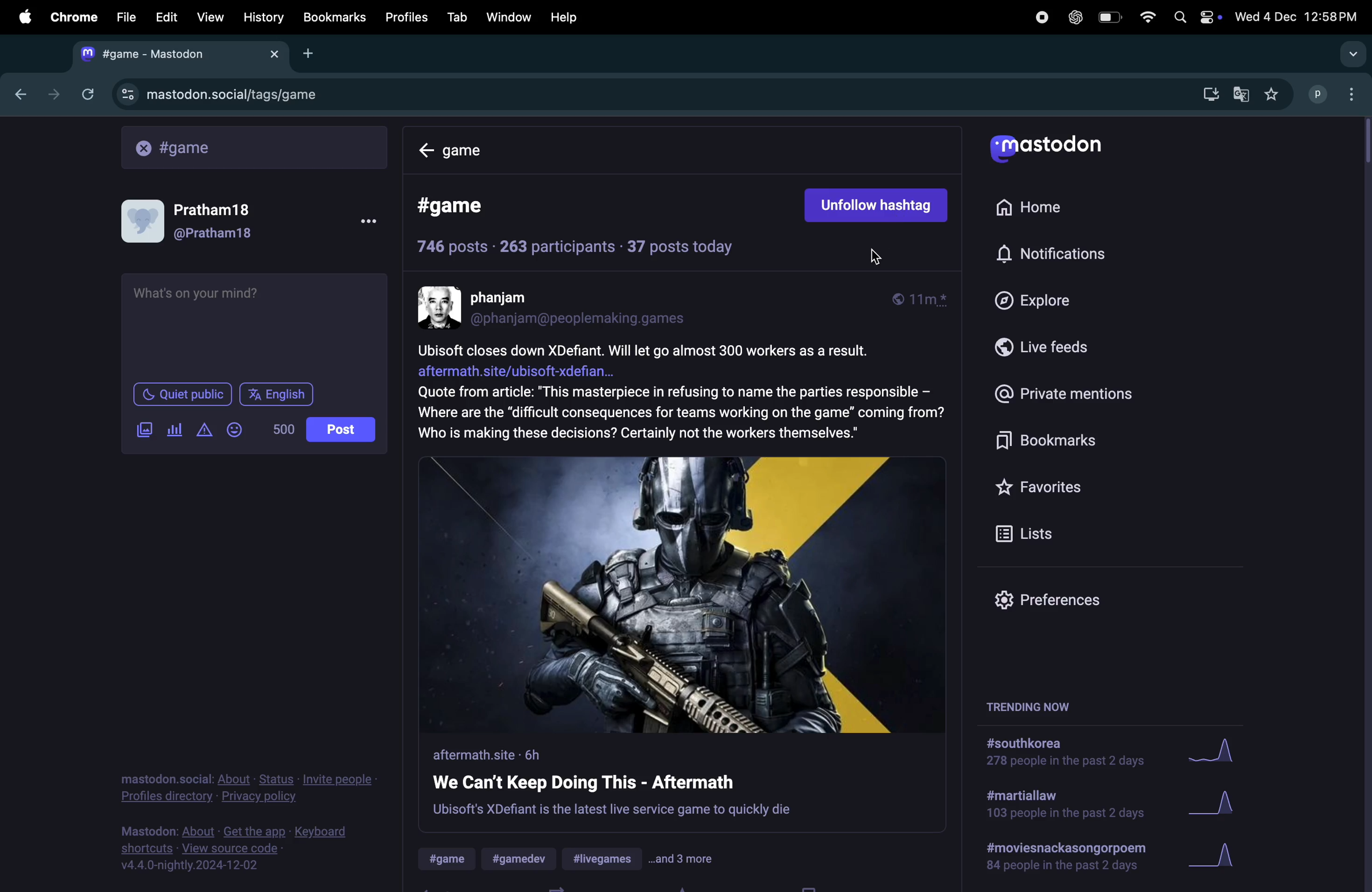  Describe the element at coordinates (1109, 18) in the screenshot. I see `battery` at that location.